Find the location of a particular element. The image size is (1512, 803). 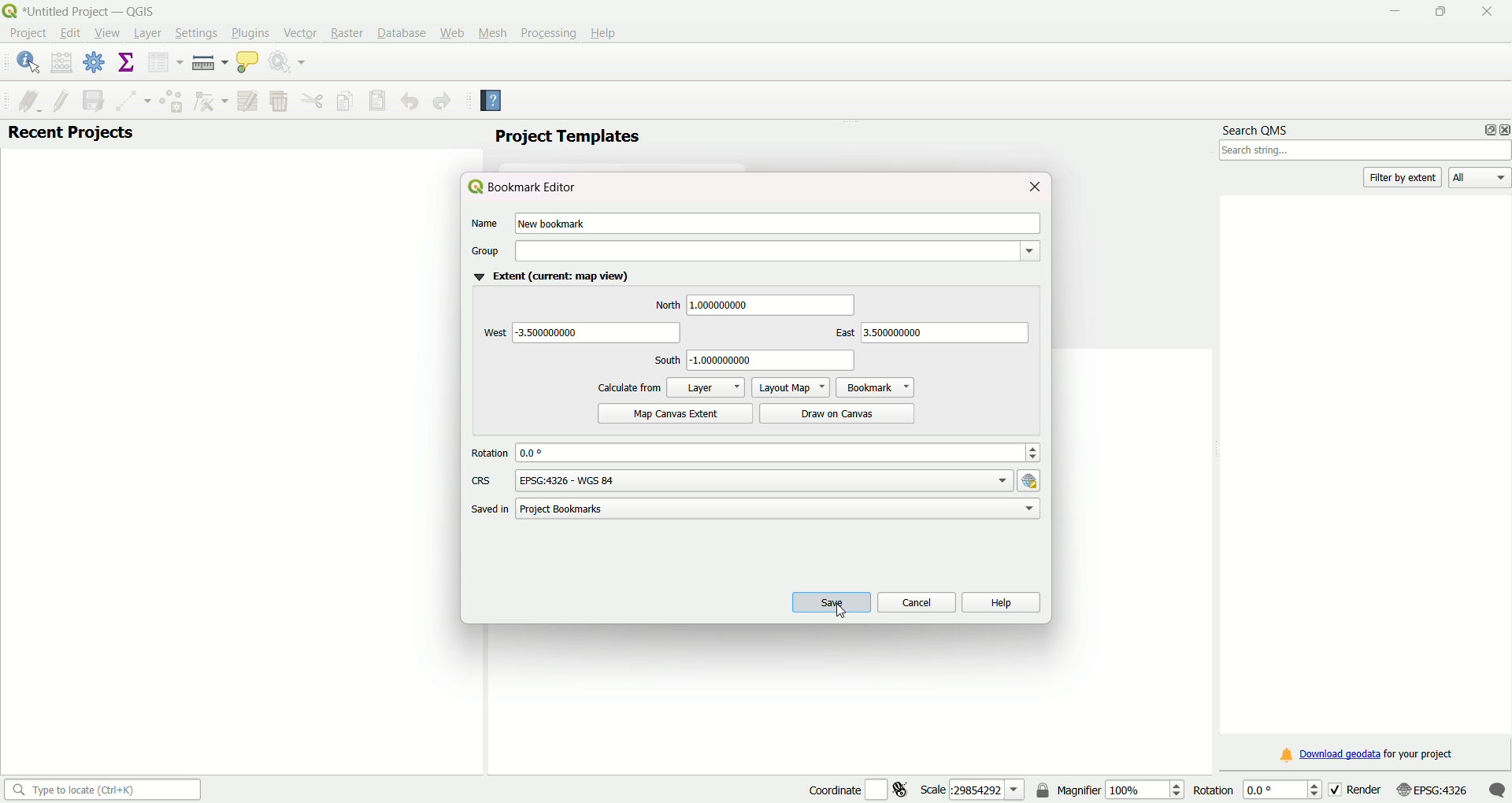

close is located at coordinates (1034, 186).